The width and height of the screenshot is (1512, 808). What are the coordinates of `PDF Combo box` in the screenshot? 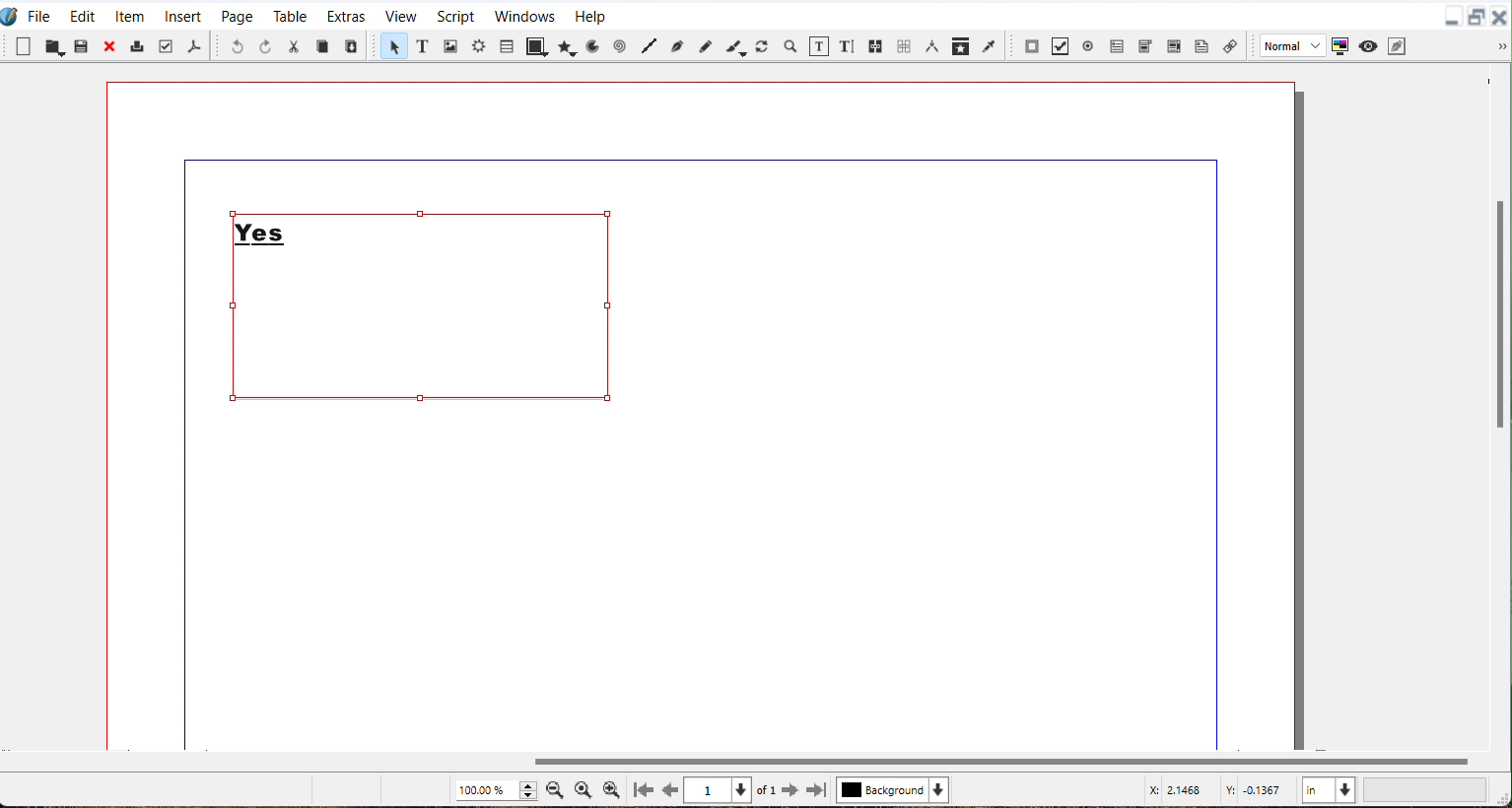 It's located at (1146, 44).